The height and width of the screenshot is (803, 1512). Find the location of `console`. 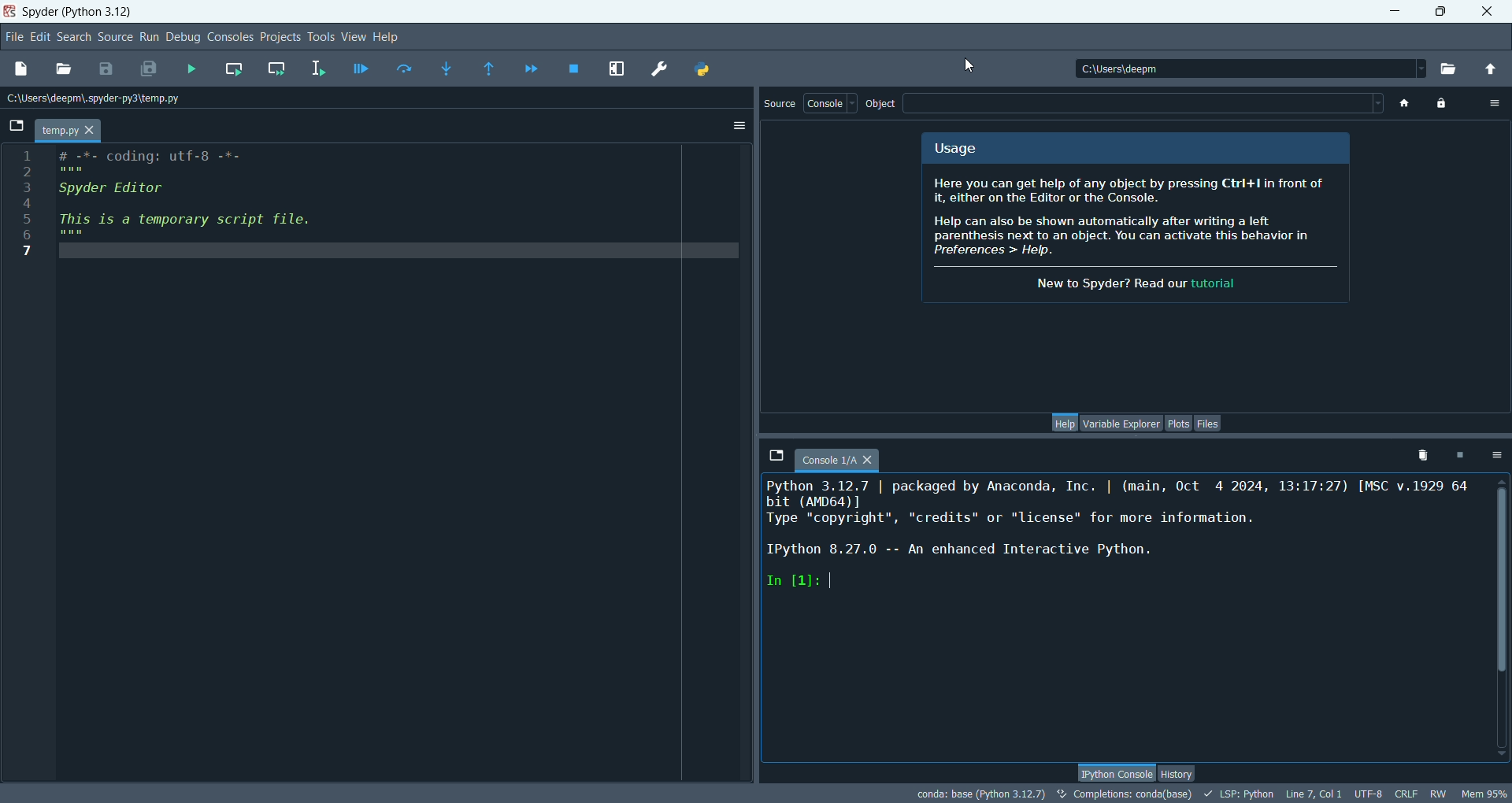

console is located at coordinates (830, 104).